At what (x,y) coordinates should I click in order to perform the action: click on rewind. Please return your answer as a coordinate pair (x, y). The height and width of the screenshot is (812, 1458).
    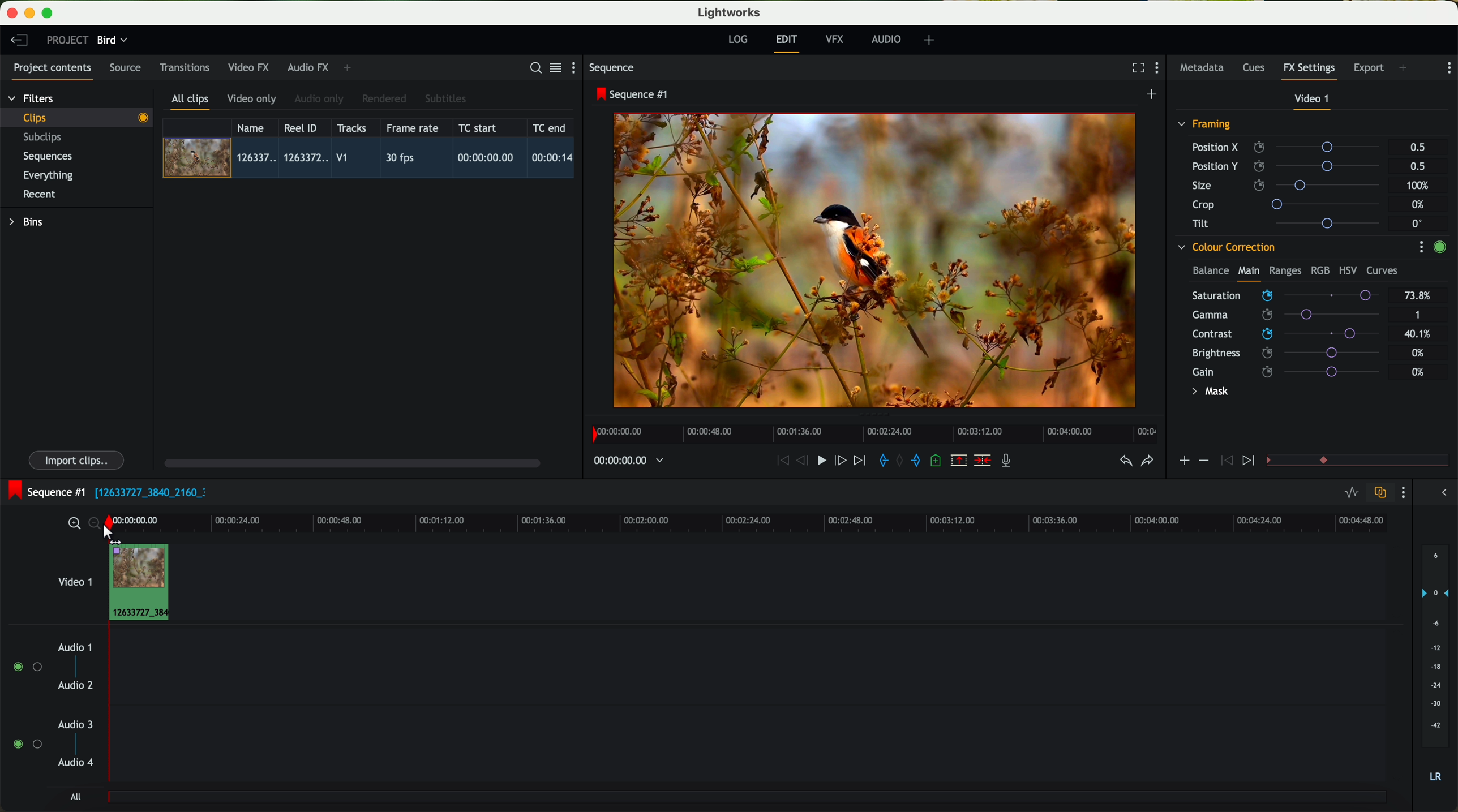
    Looking at the image, I should click on (782, 461).